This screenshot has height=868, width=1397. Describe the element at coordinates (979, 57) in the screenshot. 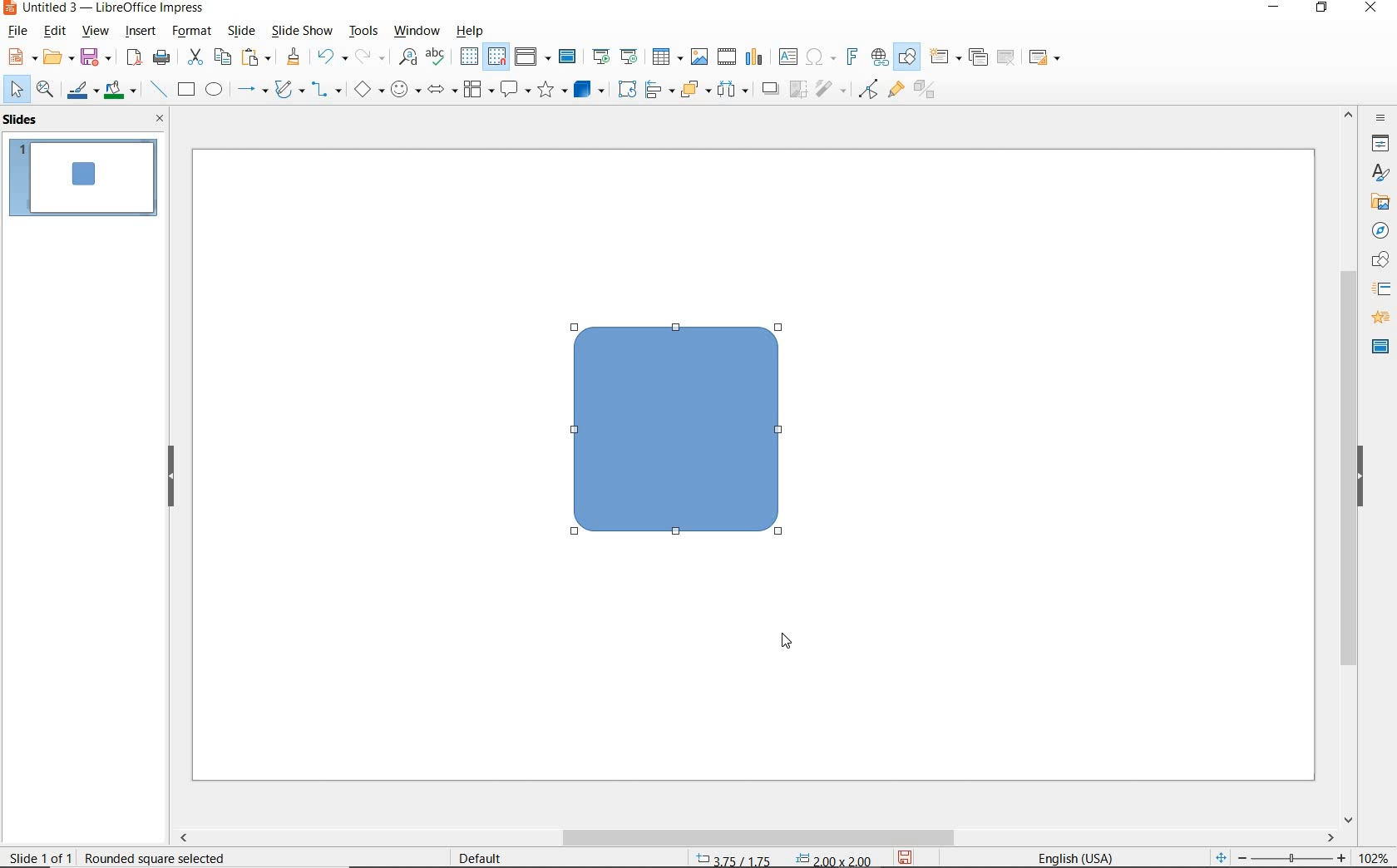

I see `duplicate slide` at that location.